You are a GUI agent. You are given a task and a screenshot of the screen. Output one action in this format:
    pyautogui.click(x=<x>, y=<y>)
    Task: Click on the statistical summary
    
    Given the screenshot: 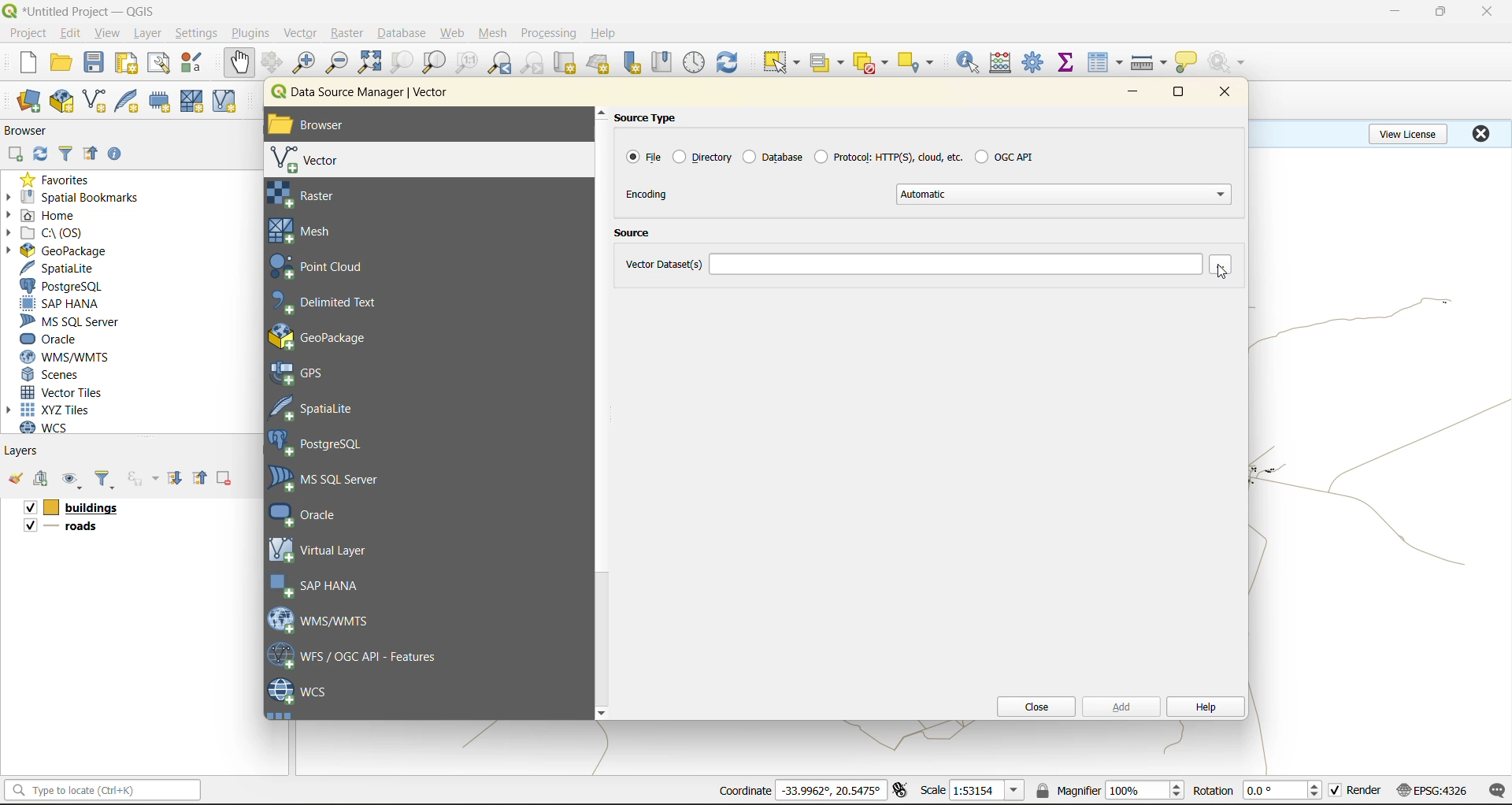 What is the action you would take?
    pyautogui.click(x=1069, y=63)
    